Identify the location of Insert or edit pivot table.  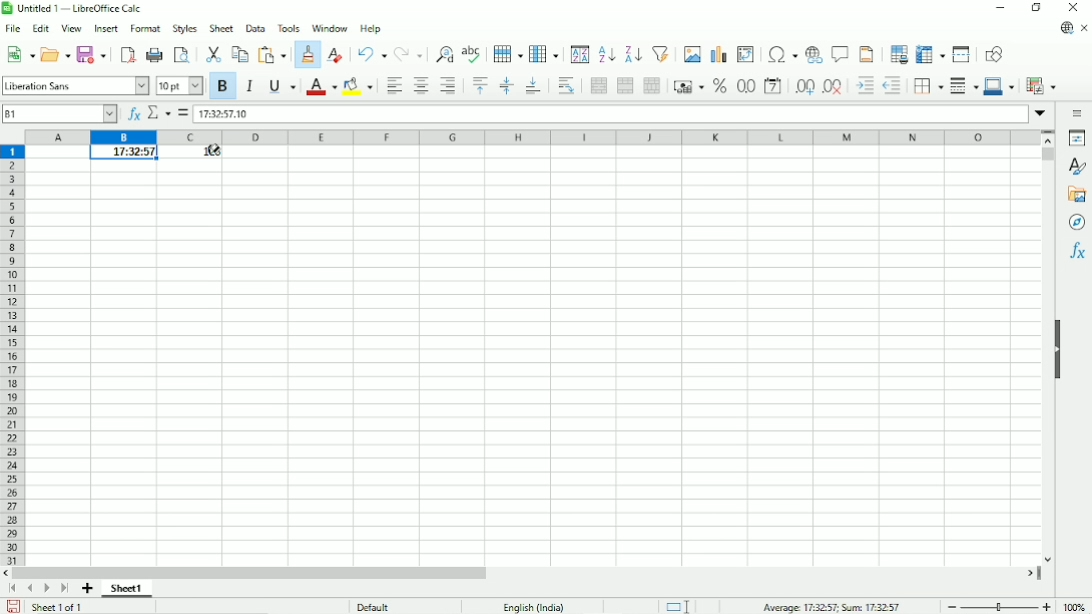
(745, 55).